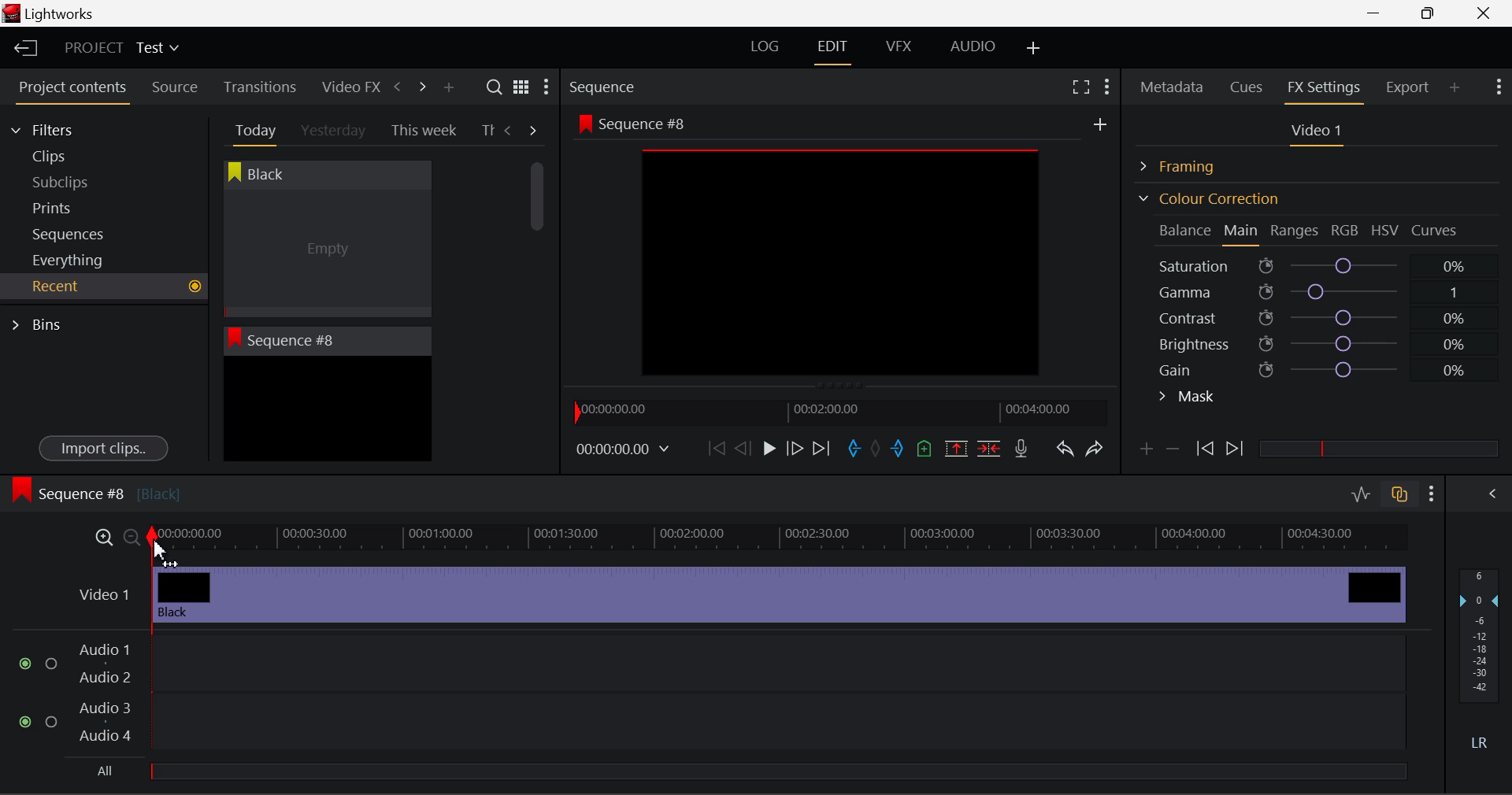 The height and width of the screenshot is (795, 1512). I want to click on Project Title, so click(122, 49).